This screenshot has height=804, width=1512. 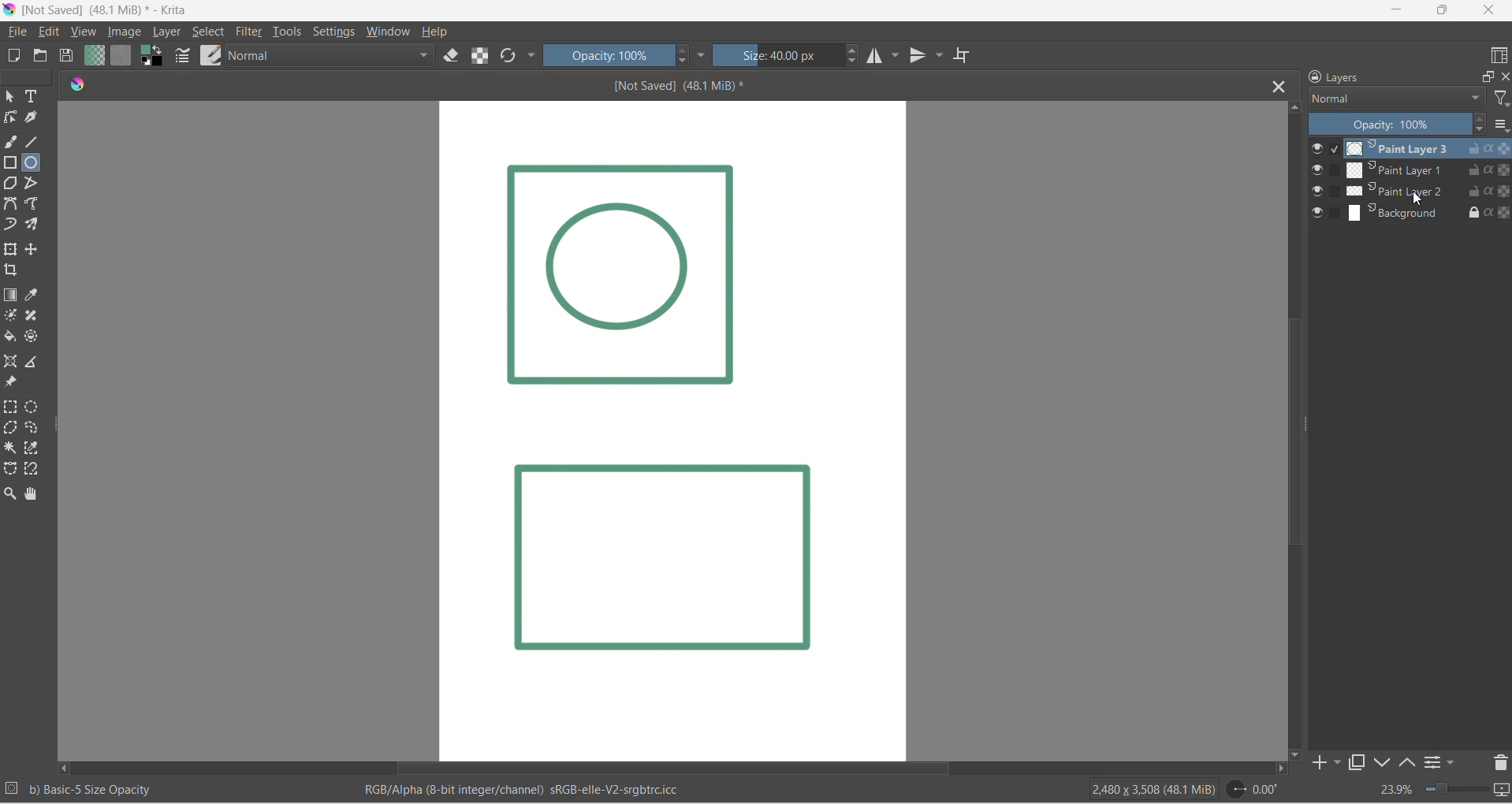 What do you see at coordinates (1279, 770) in the screenshot?
I see `move right` at bounding box center [1279, 770].